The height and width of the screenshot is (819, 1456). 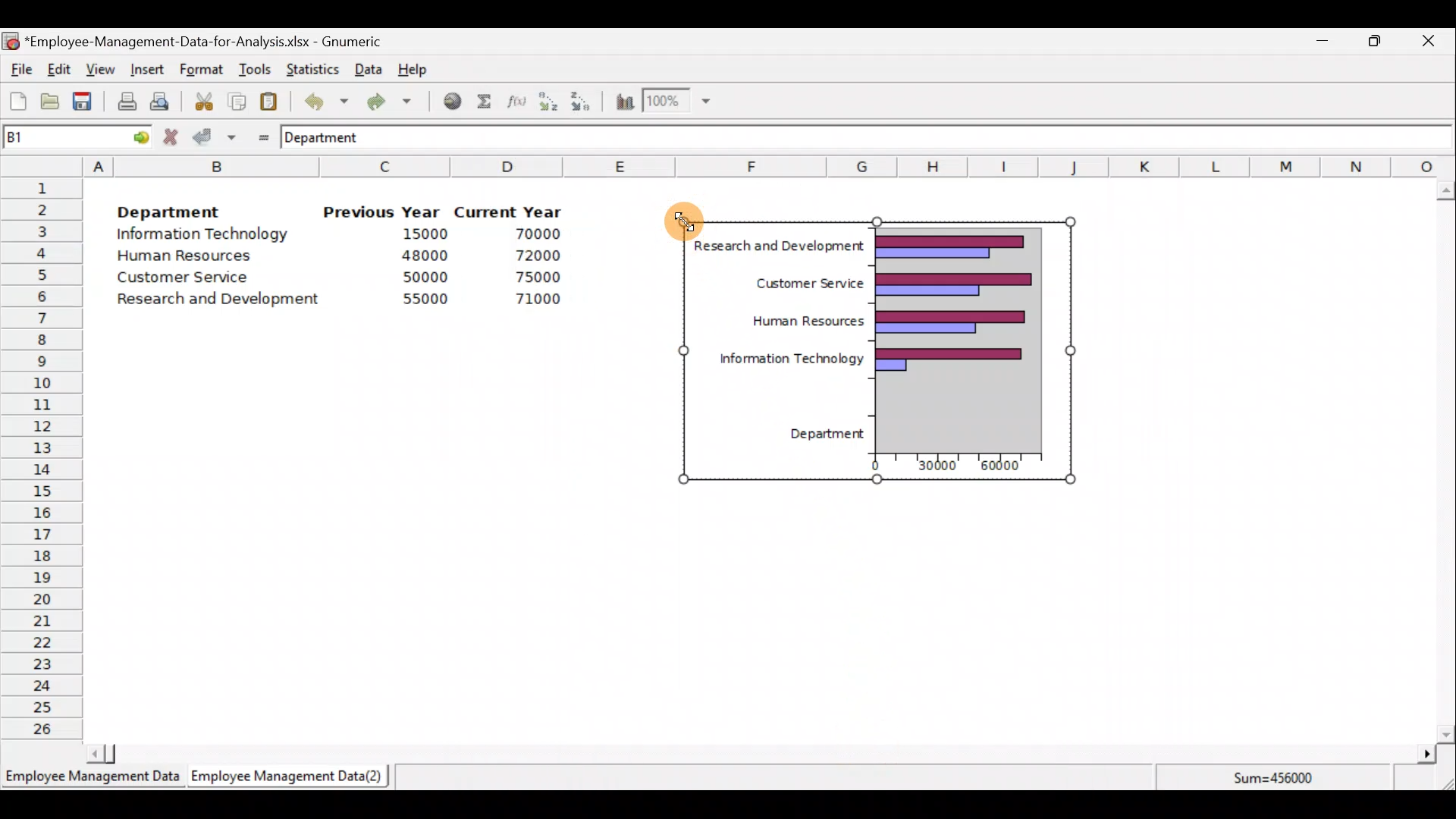 I want to click on Minimize, so click(x=1319, y=44).